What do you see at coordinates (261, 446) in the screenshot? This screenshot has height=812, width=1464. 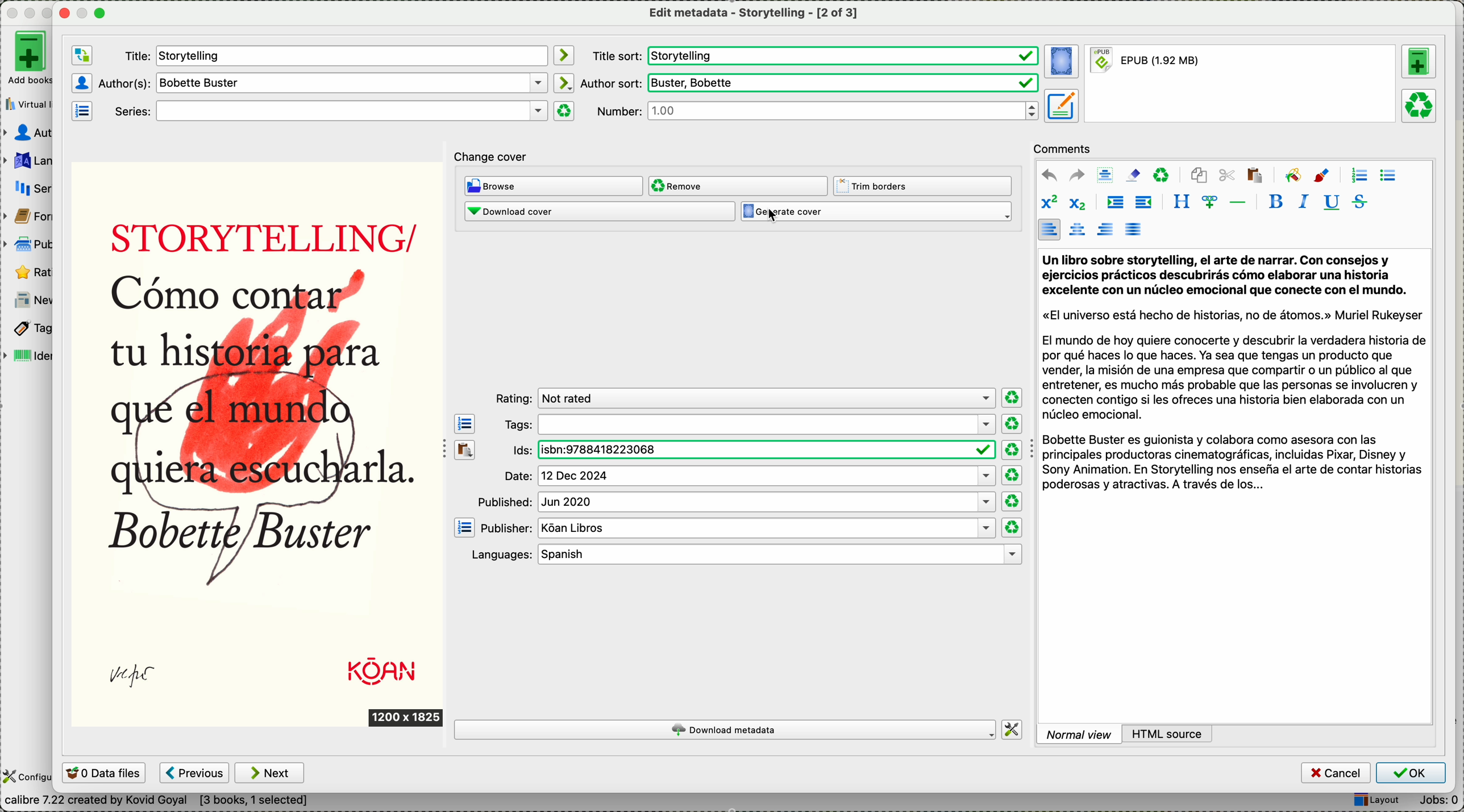 I see `cover book preview` at bounding box center [261, 446].